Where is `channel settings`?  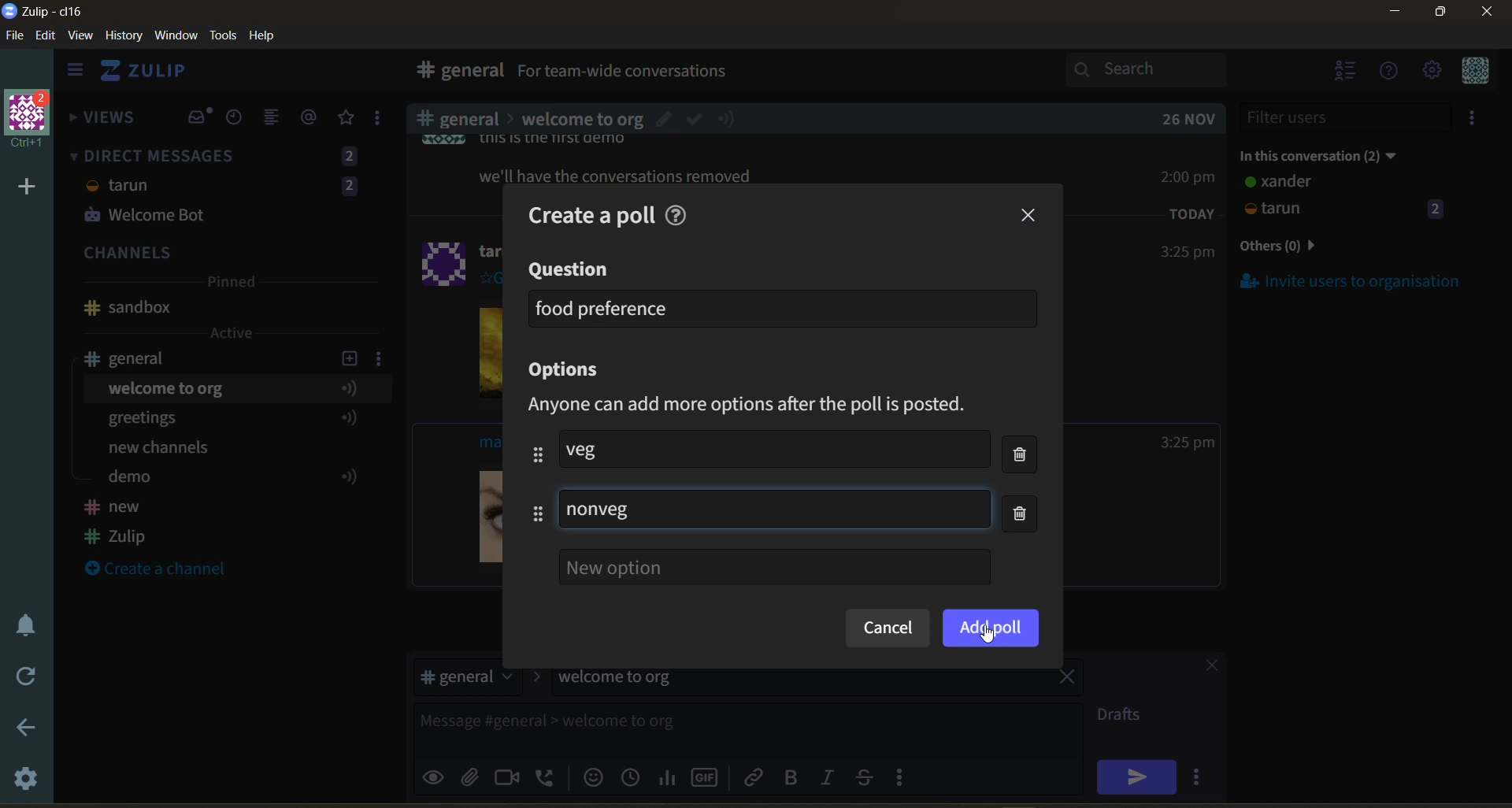
channel settings is located at coordinates (382, 358).